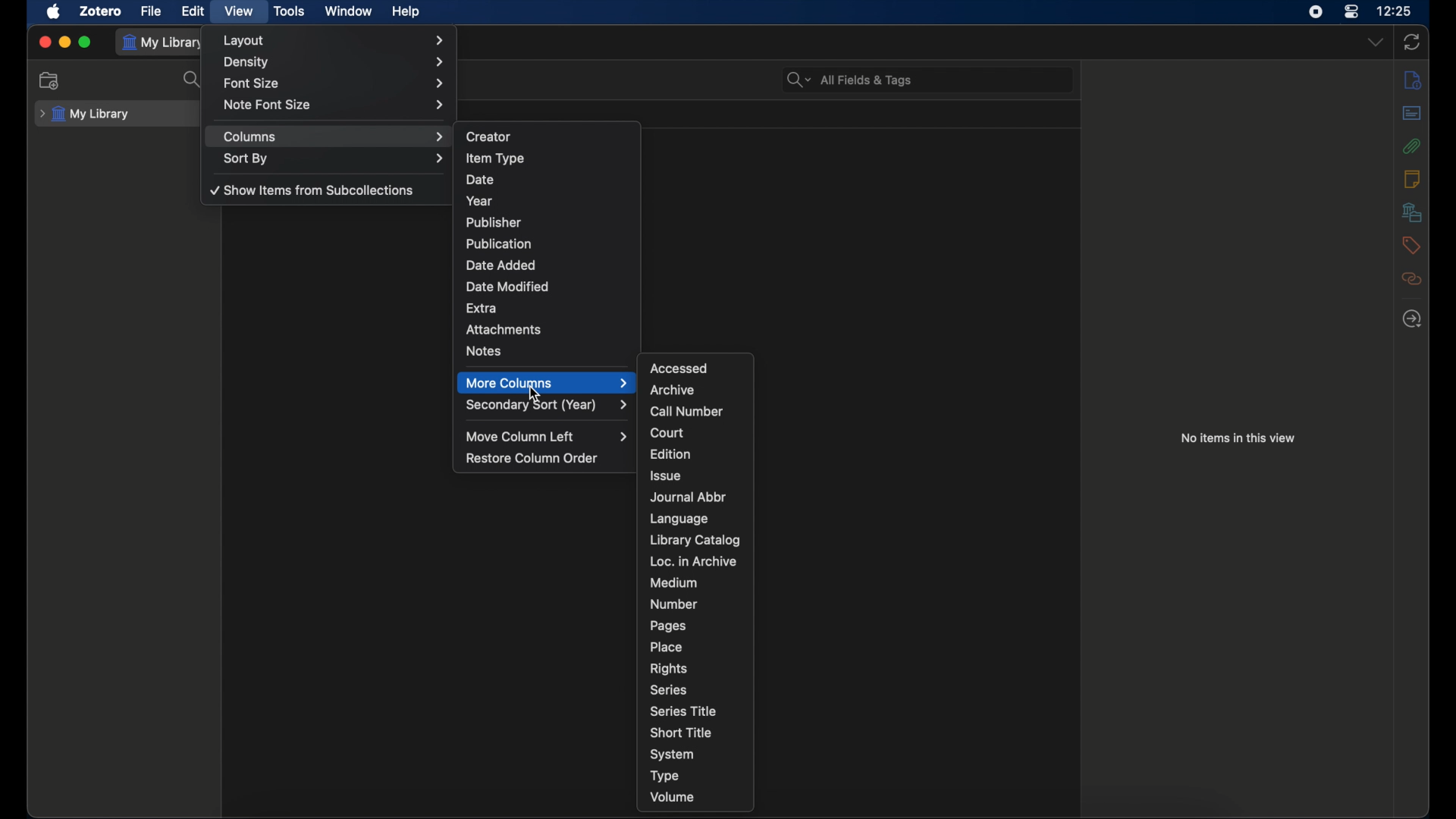 The height and width of the screenshot is (819, 1456). I want to click on libraries, so click(1412, 212).